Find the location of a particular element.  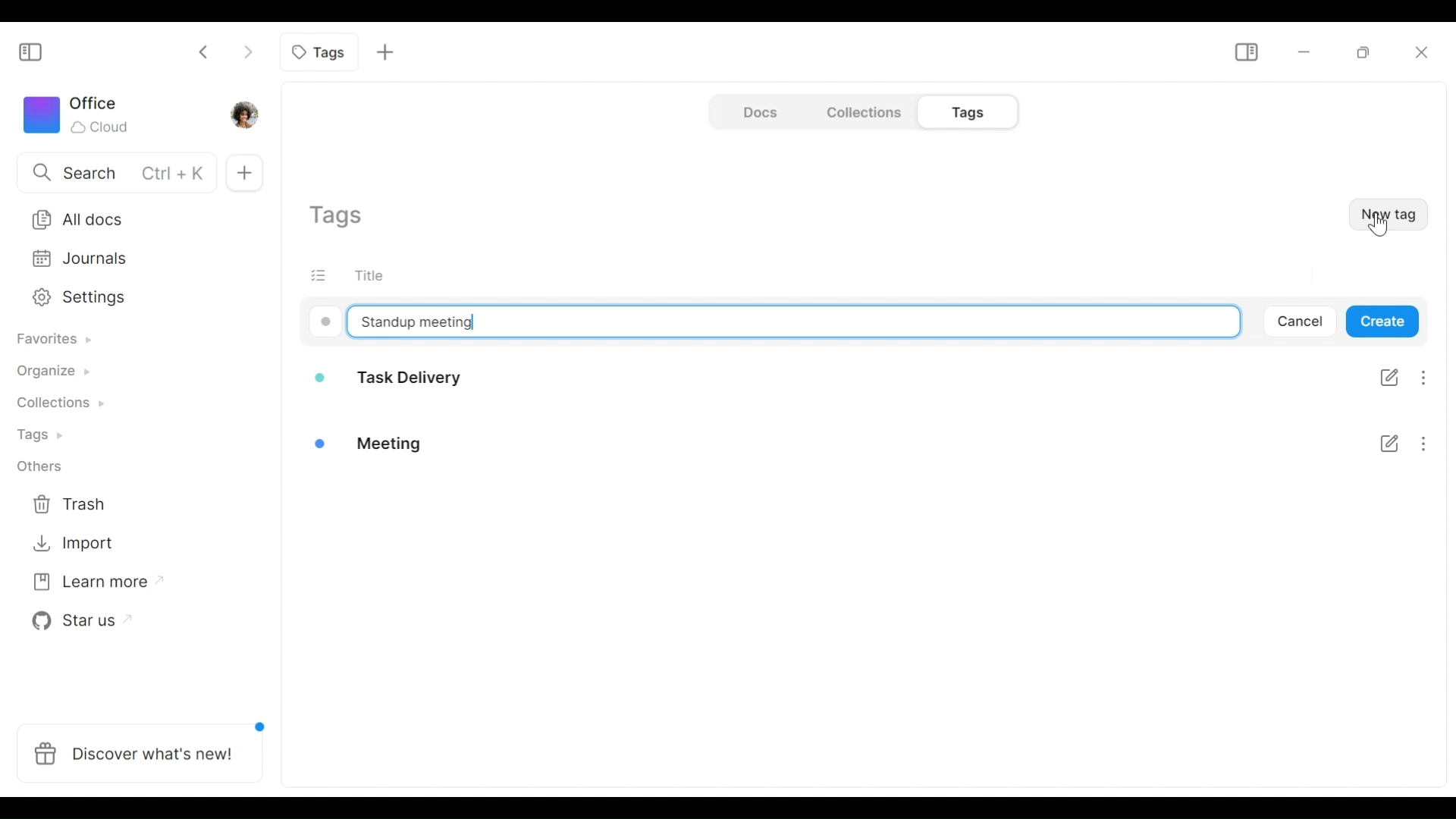

Learn more is located at coordinates (88, 585).